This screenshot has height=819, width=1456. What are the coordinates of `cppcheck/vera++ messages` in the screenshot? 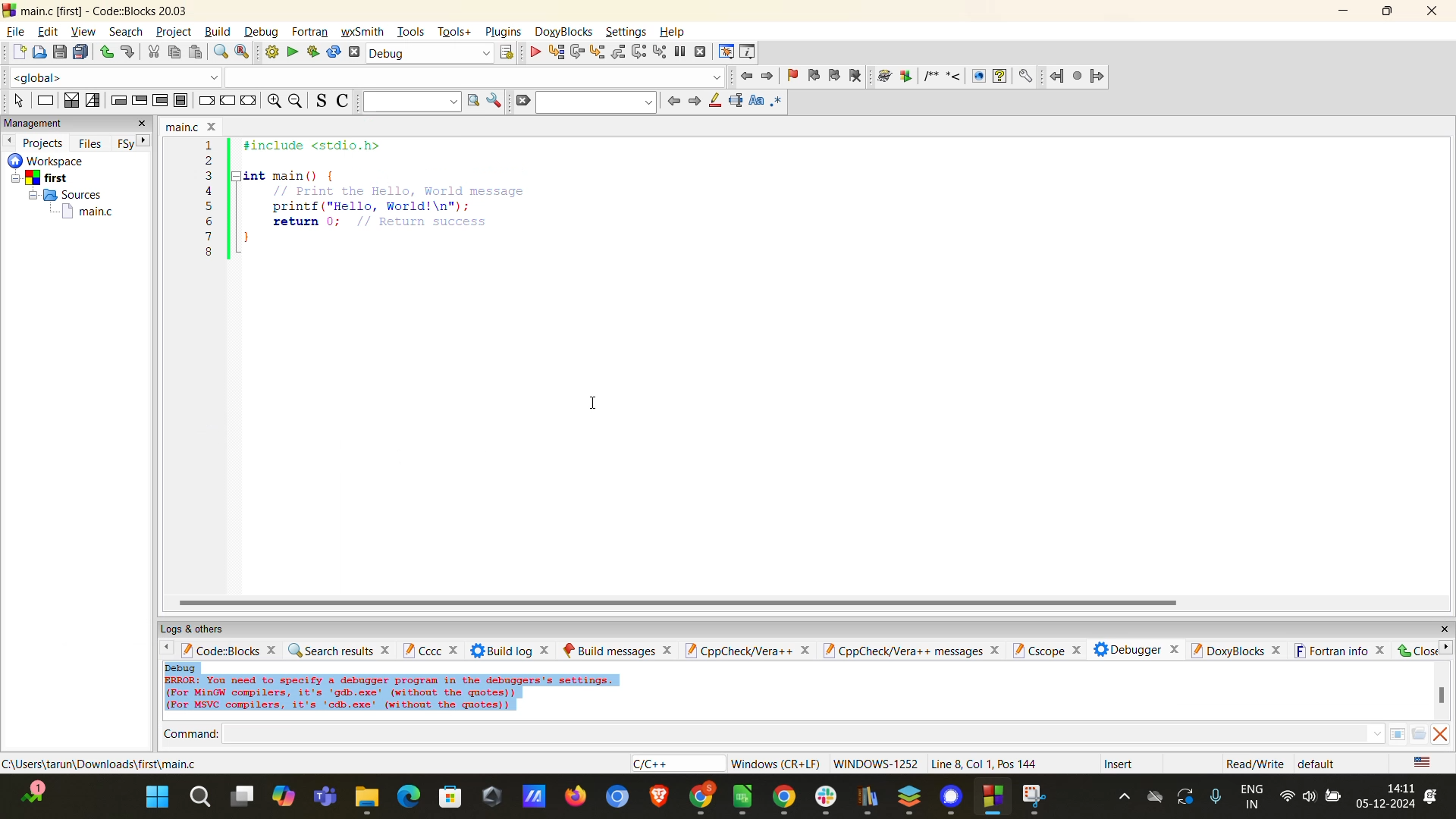 It's located at (913, 648).